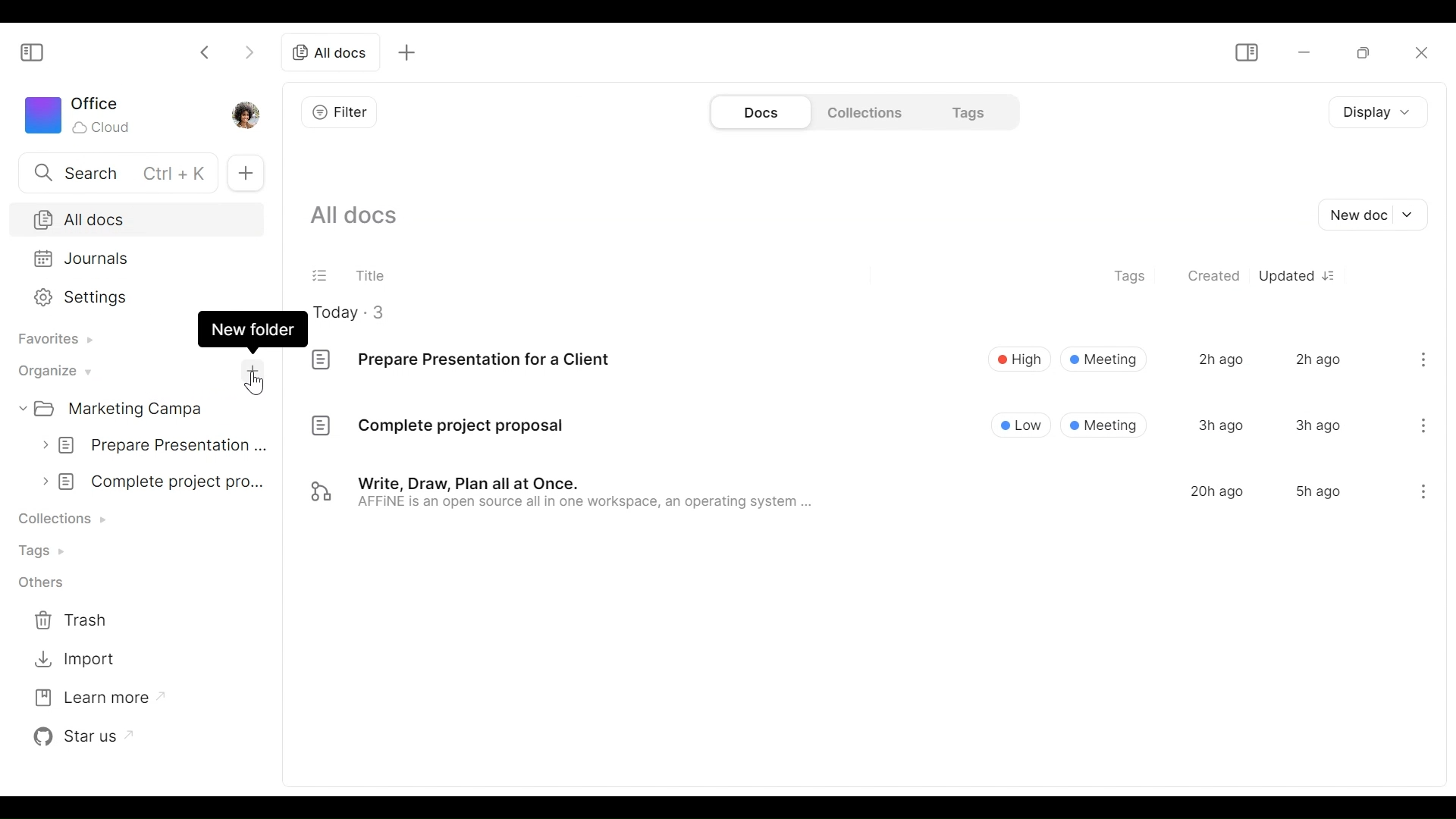 Image resolution: width=1456 pixels, height=819 pixels. Describe the element at coordinates (1105, 425) in the screenshot. I see `® Meeting` at that location.